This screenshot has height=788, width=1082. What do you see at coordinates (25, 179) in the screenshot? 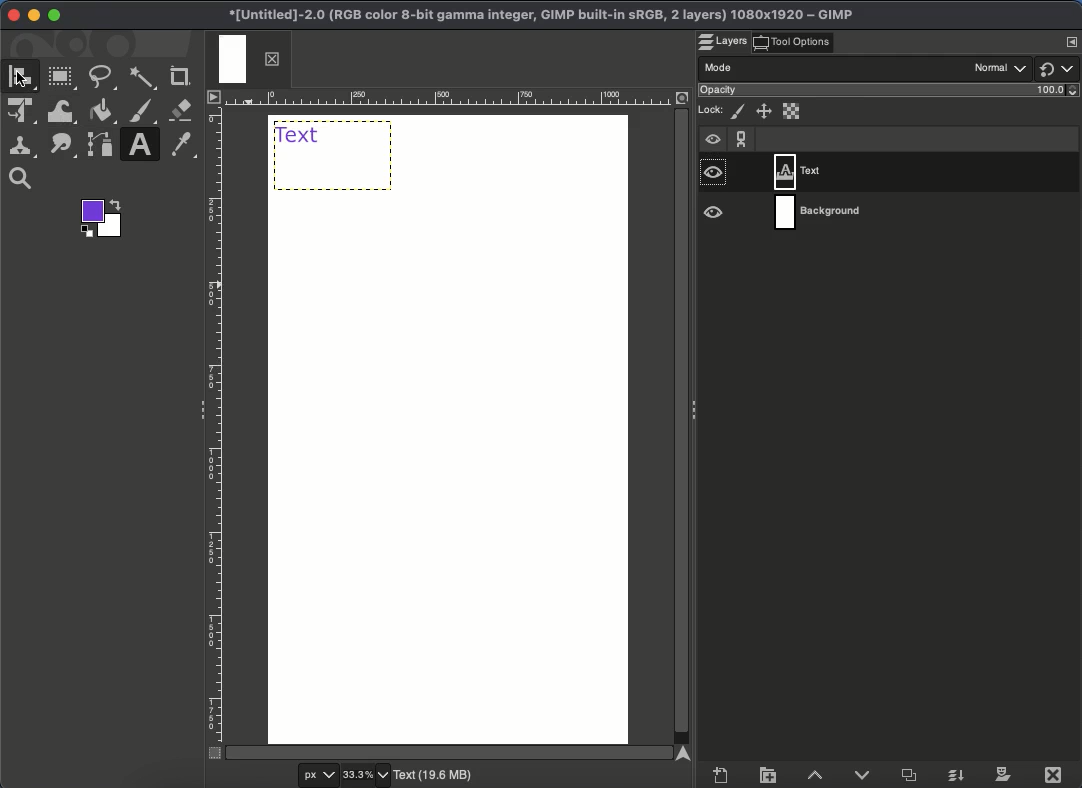
I see `Zoom` at bounding box center [25, 179].